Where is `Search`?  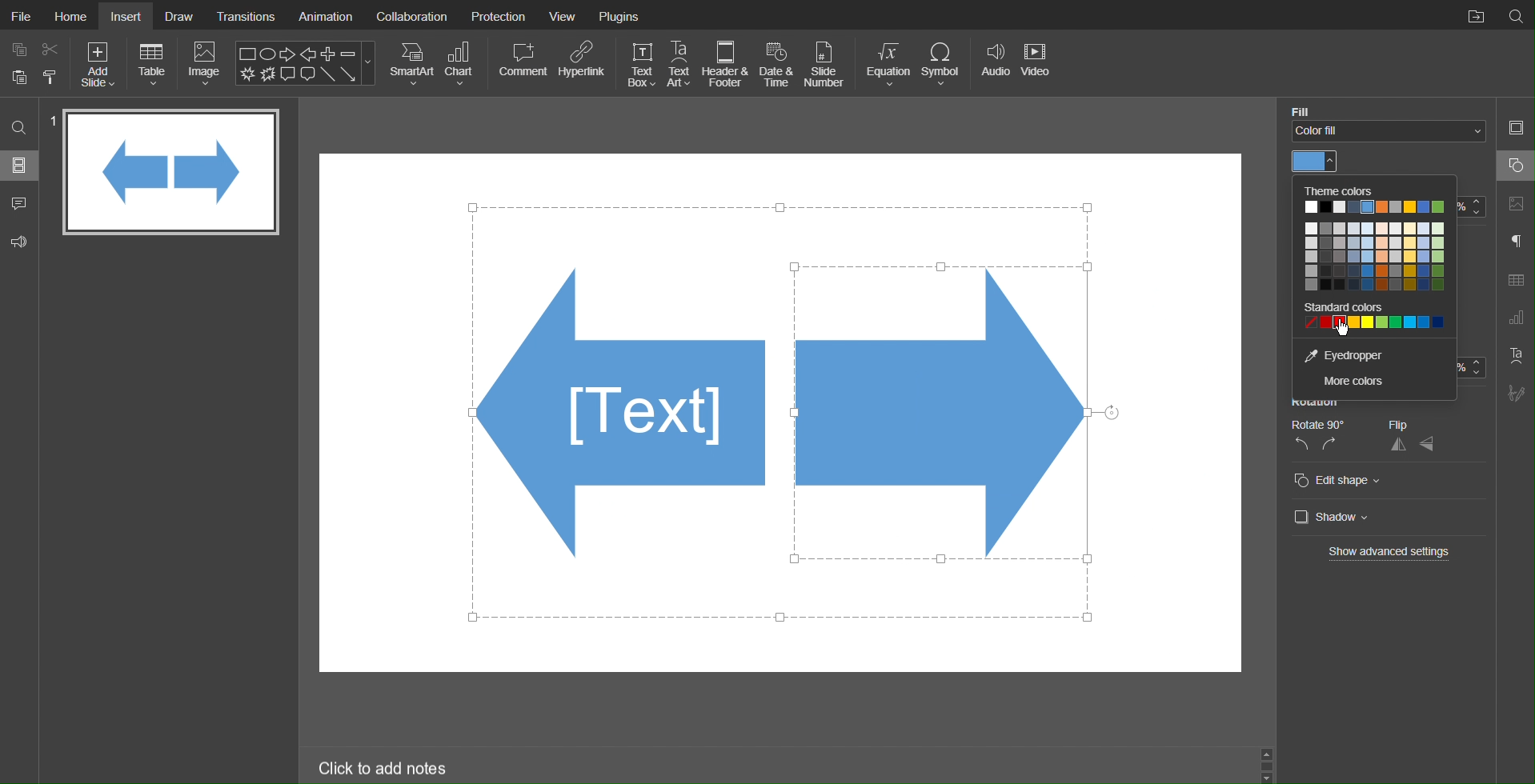
Search is located at coordinates (18, 130).